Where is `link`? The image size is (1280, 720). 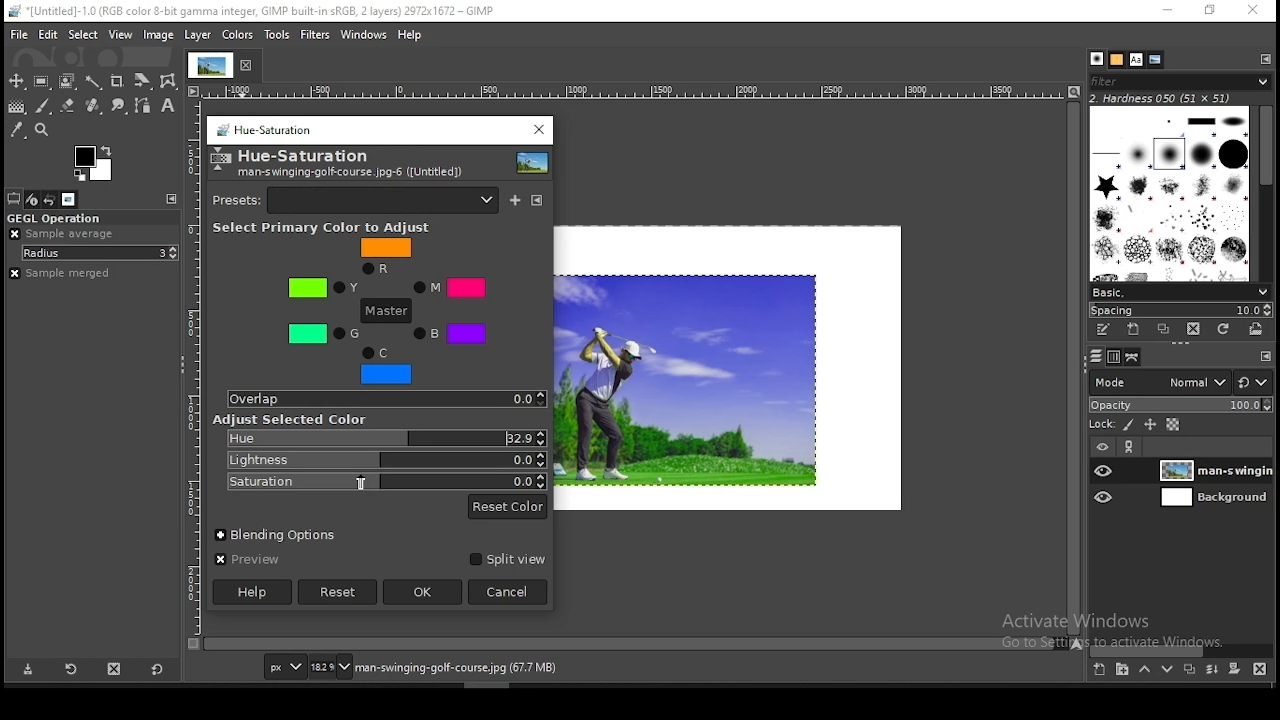
link is located at coordinates (1130, 448).